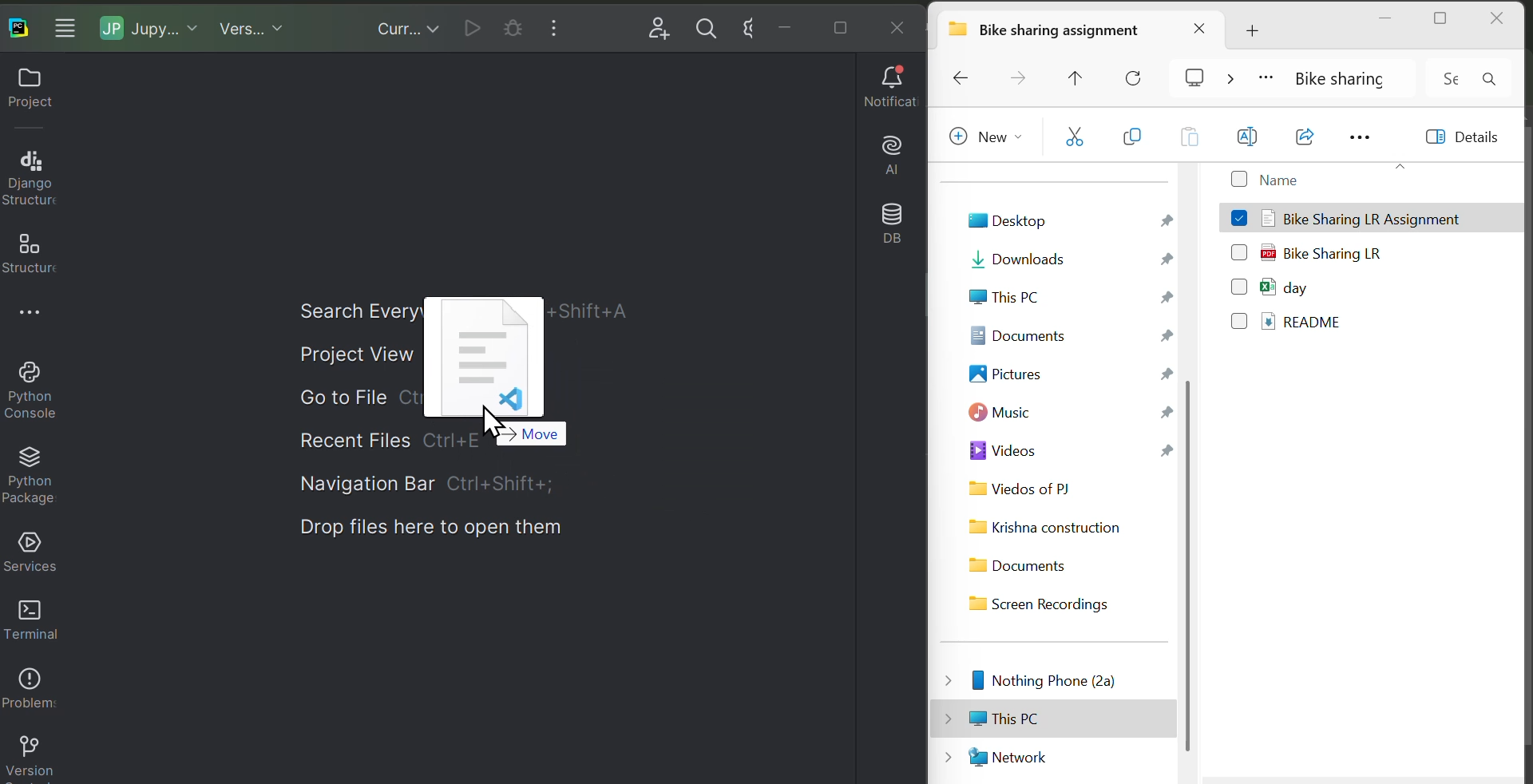 The height and width of the screenshot is (784, 1533). I want to click on Jupiter notebook, so click(155, 27).